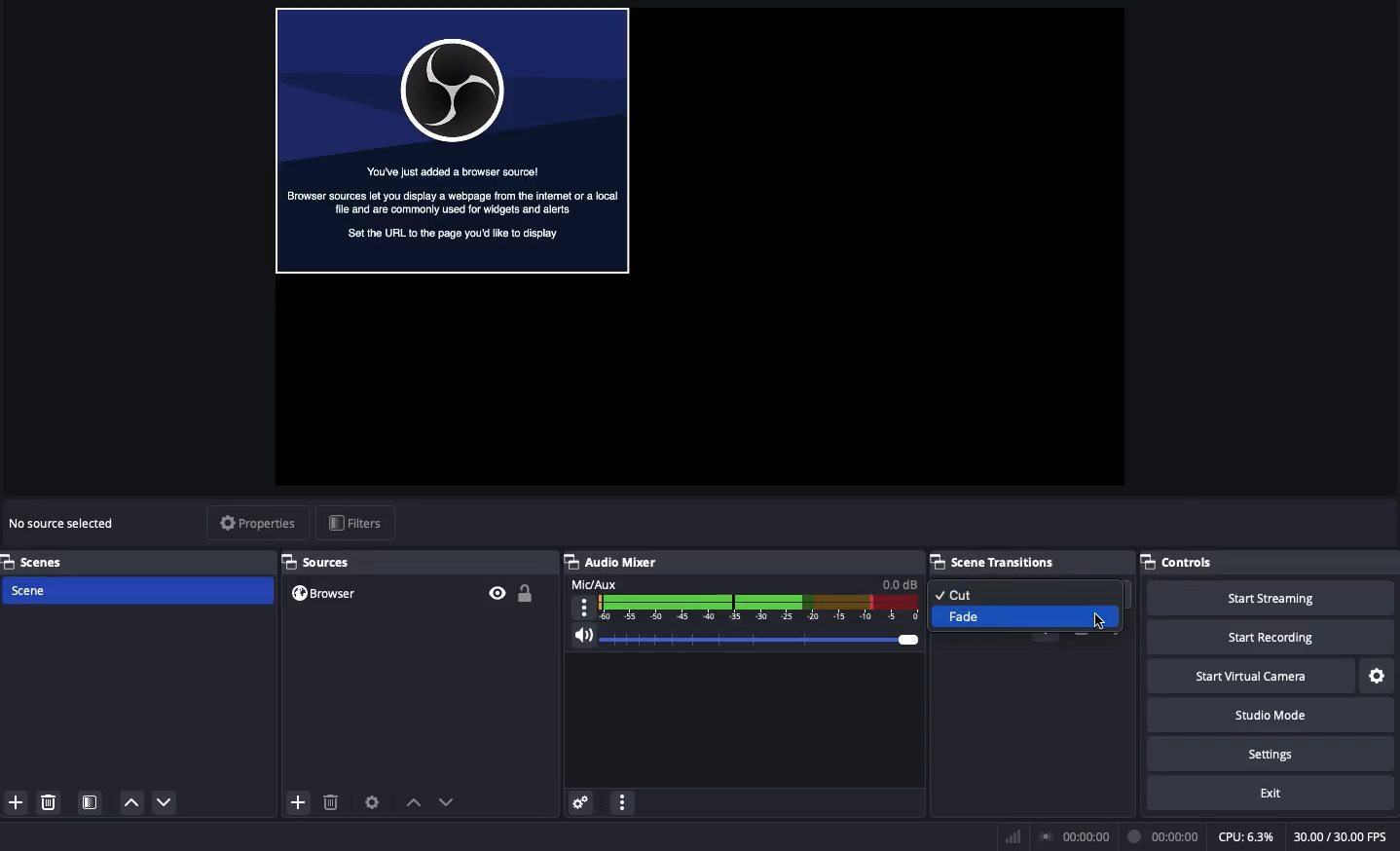  I want to click on Scene transitions, so click(996, 564).